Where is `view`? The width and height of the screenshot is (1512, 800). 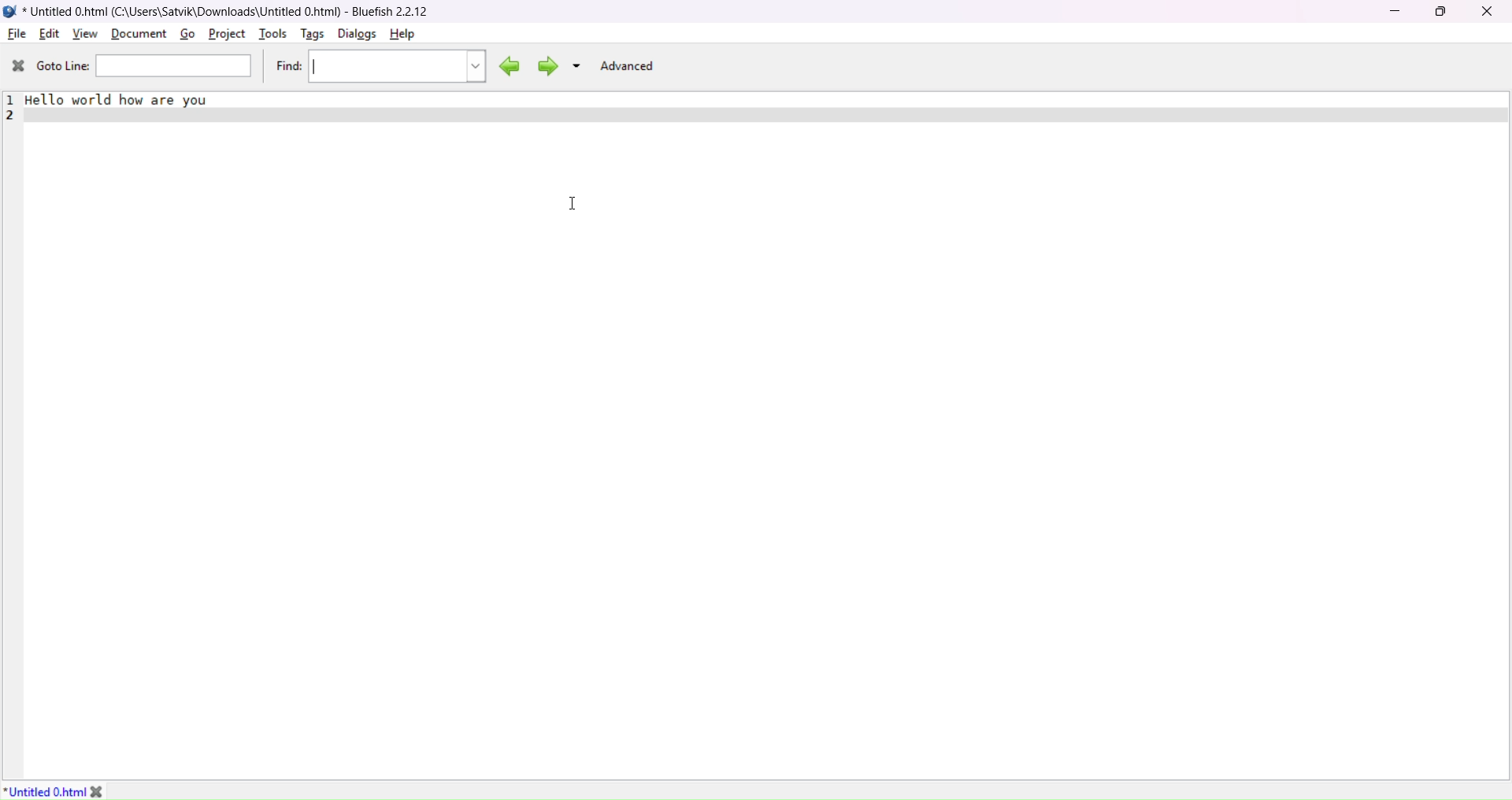
view is located at coordinates (84, 32).